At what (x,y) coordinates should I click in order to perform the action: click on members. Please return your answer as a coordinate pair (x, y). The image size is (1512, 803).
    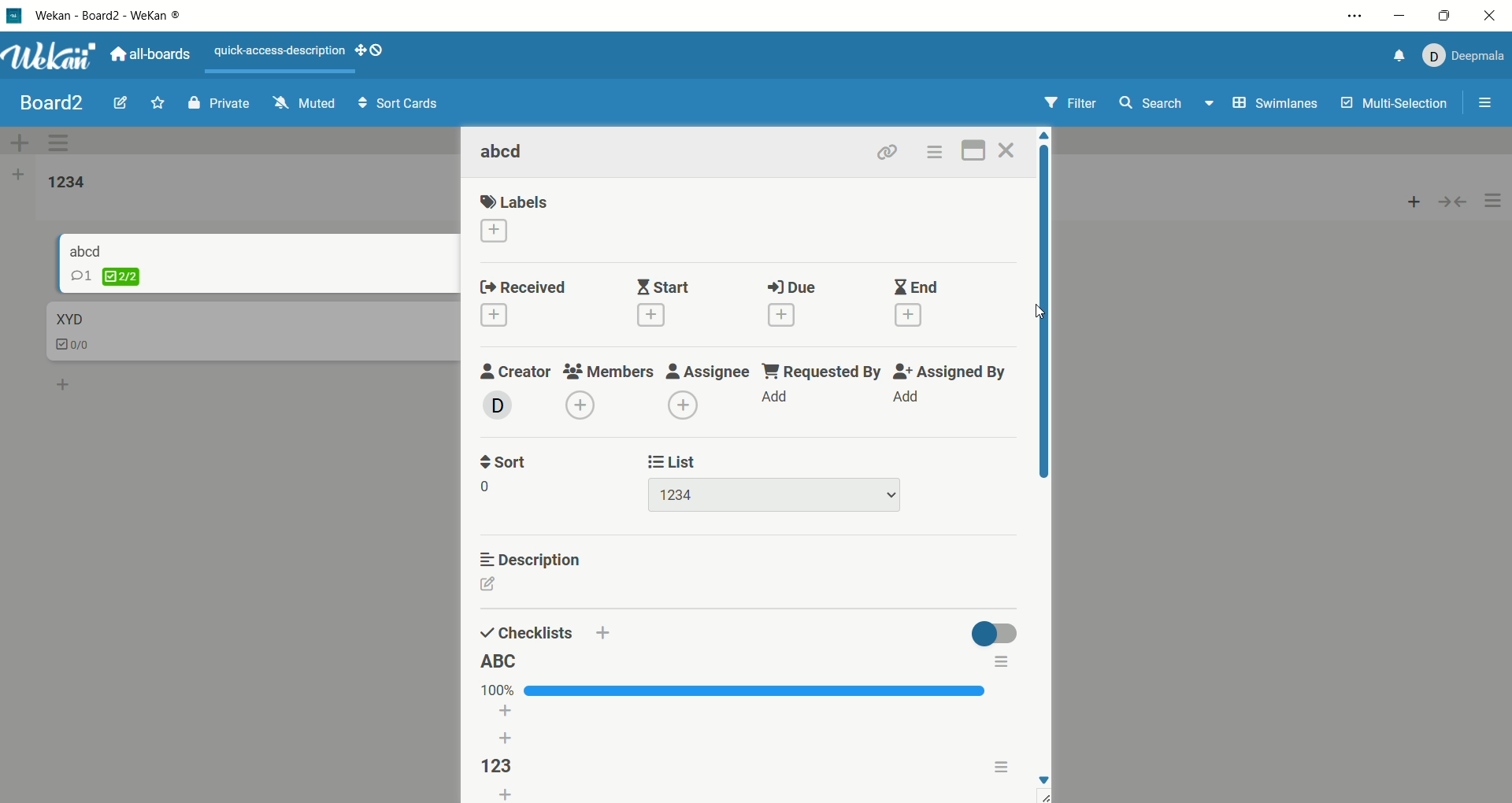
    Looking at the image, I should click on (610, 371).